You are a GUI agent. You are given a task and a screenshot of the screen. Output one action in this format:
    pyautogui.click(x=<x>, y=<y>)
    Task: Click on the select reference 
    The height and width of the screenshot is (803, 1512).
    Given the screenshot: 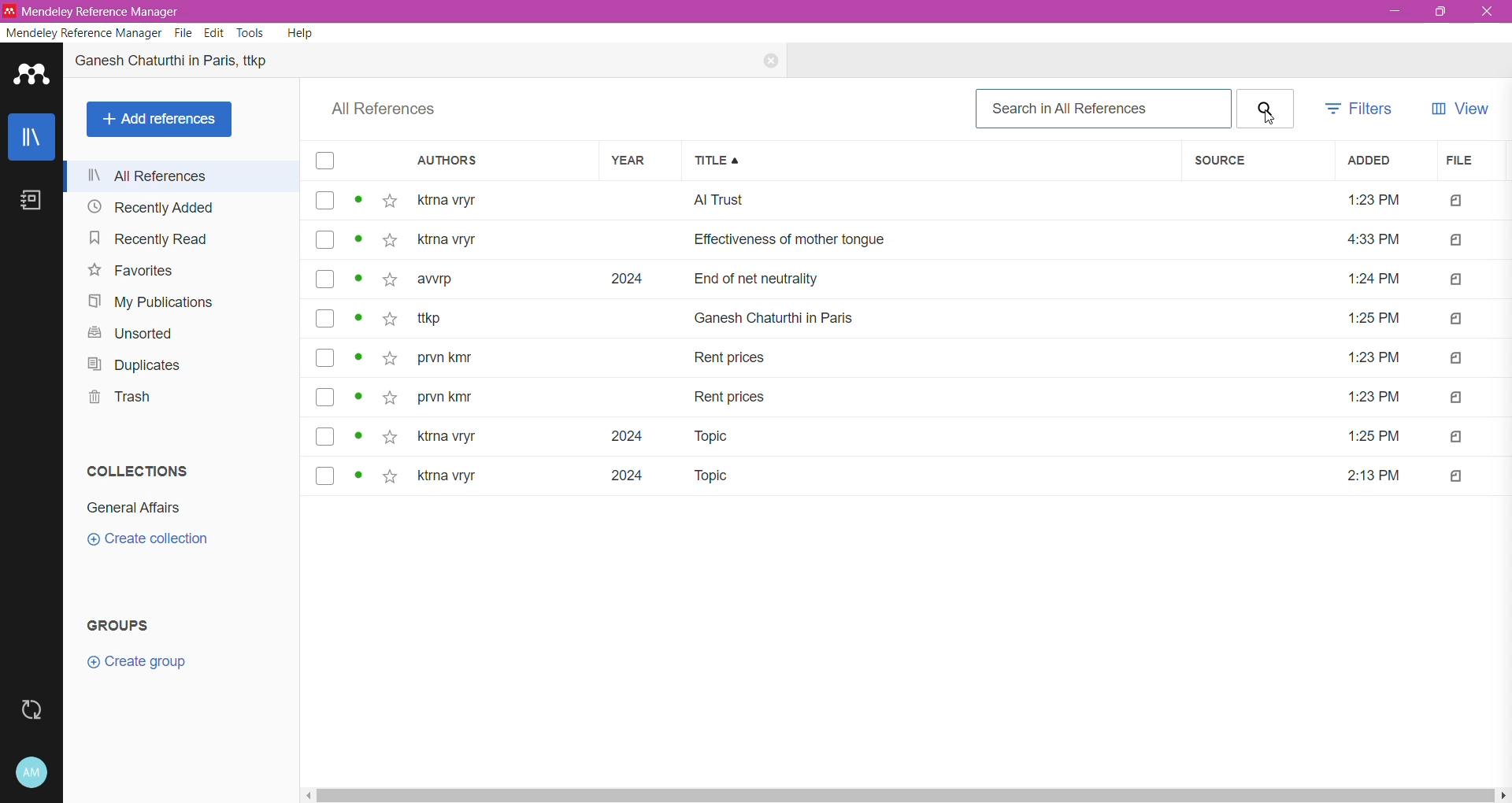 What is the action you would take?
    pyautogui.click(x=324, y=240)
    